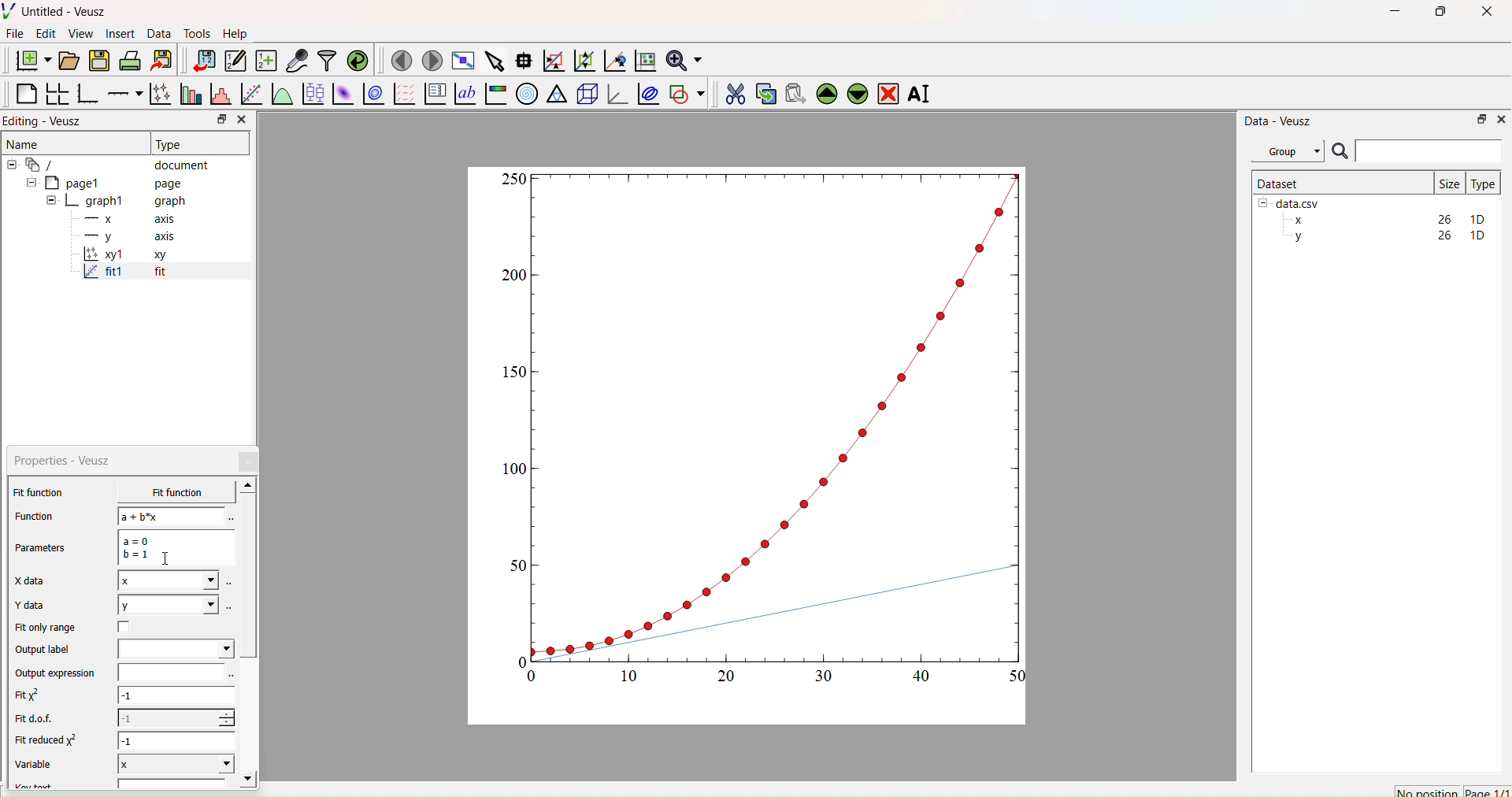 The image size is (1512, 797). Describe the element at coordinates (178, 741) in the screenshot. I see `-1` at that location.